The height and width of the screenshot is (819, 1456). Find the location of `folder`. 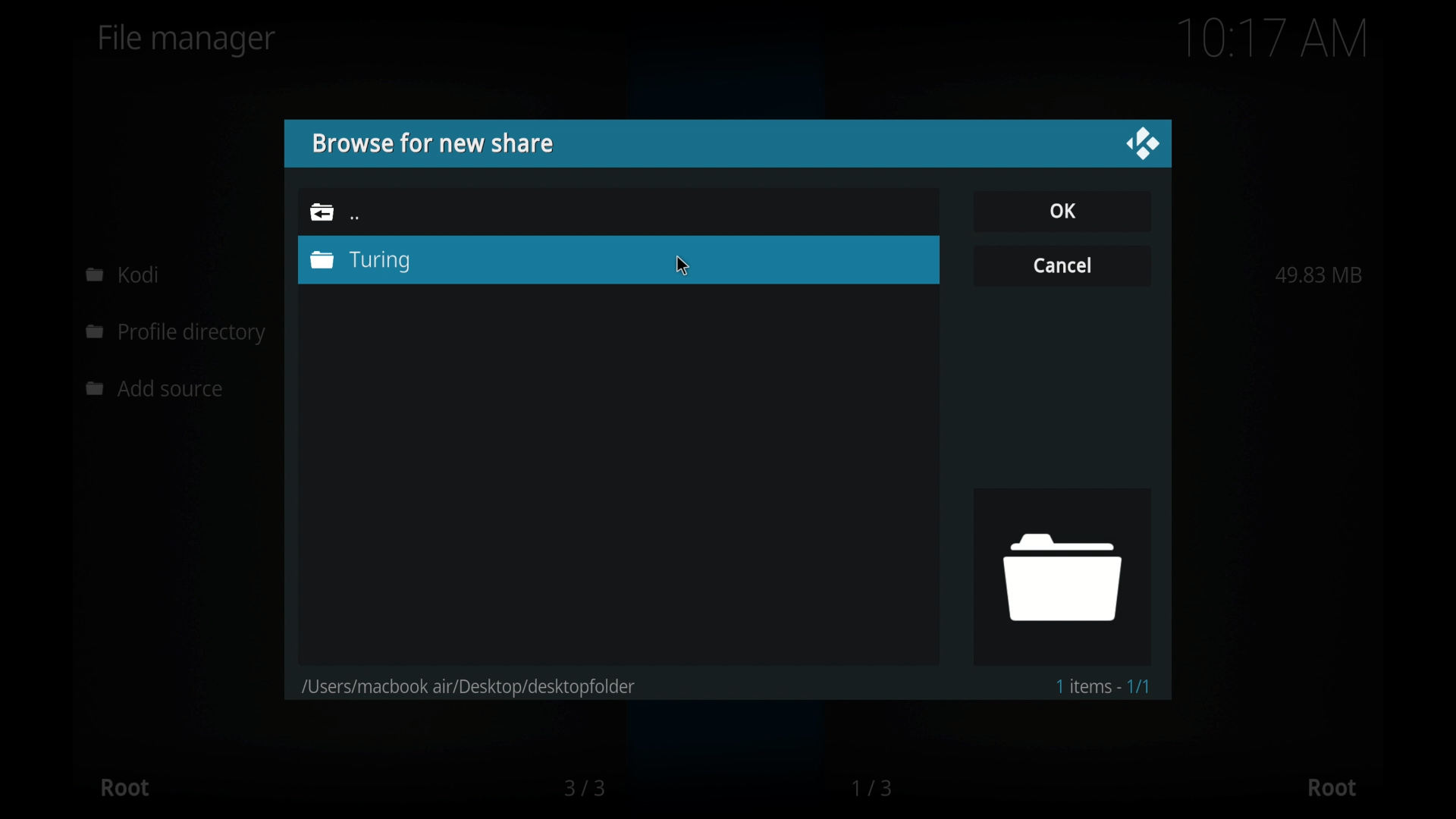

folder is located at coordinates (322, 212).